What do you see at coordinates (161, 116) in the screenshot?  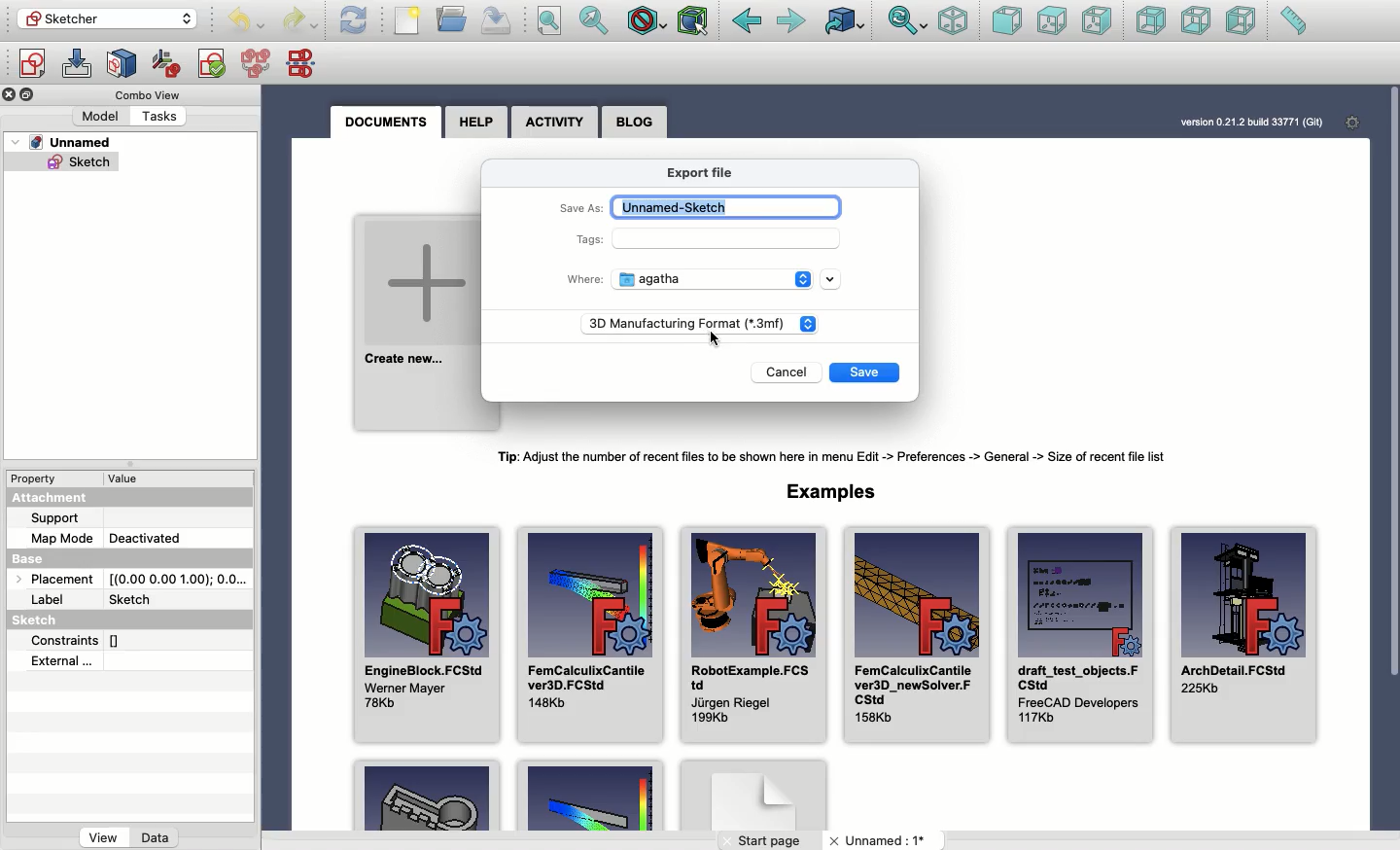 I see `Tasks` at bounding box center [161, 116].